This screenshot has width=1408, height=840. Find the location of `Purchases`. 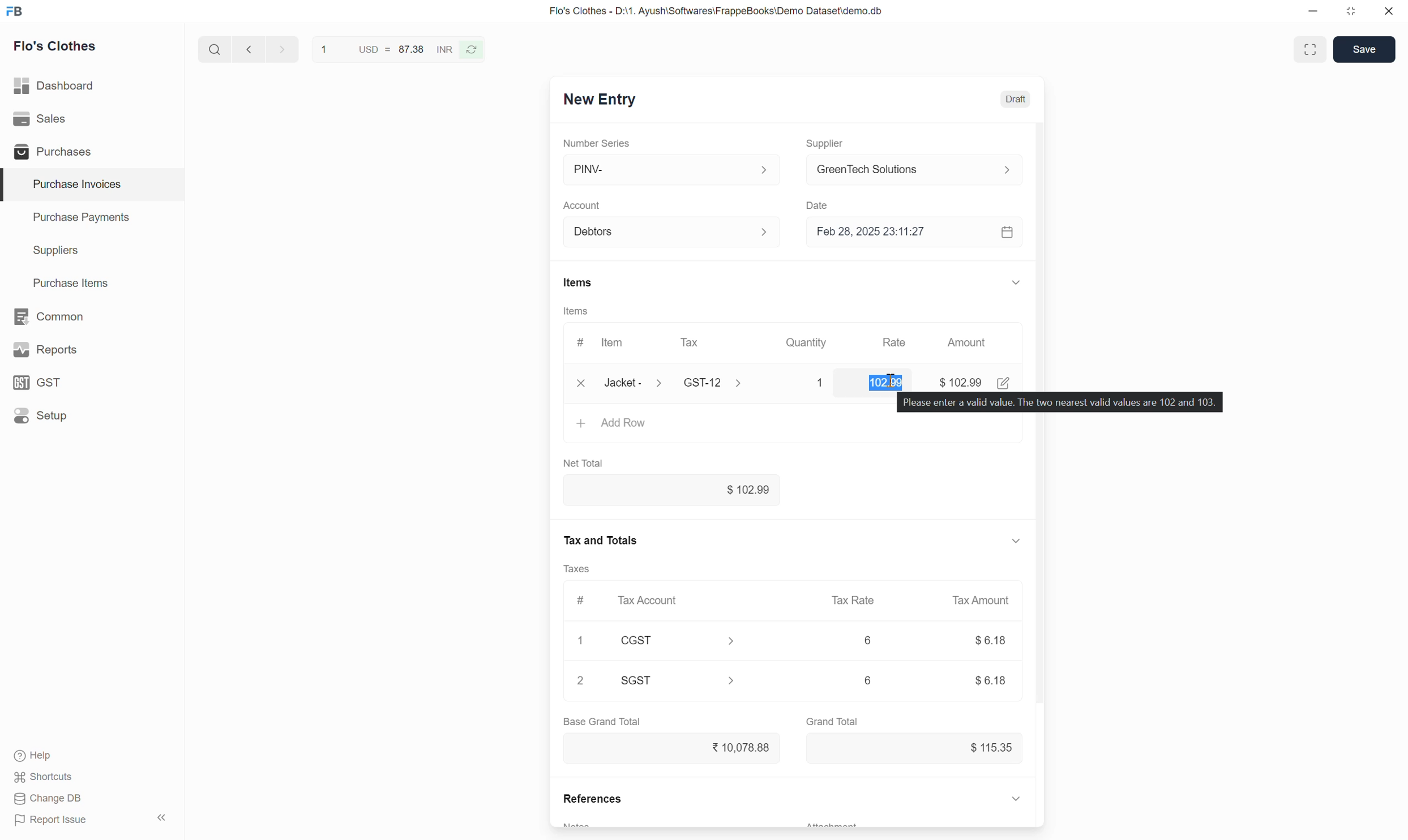

Purchases is located at coordinates (91, 151).